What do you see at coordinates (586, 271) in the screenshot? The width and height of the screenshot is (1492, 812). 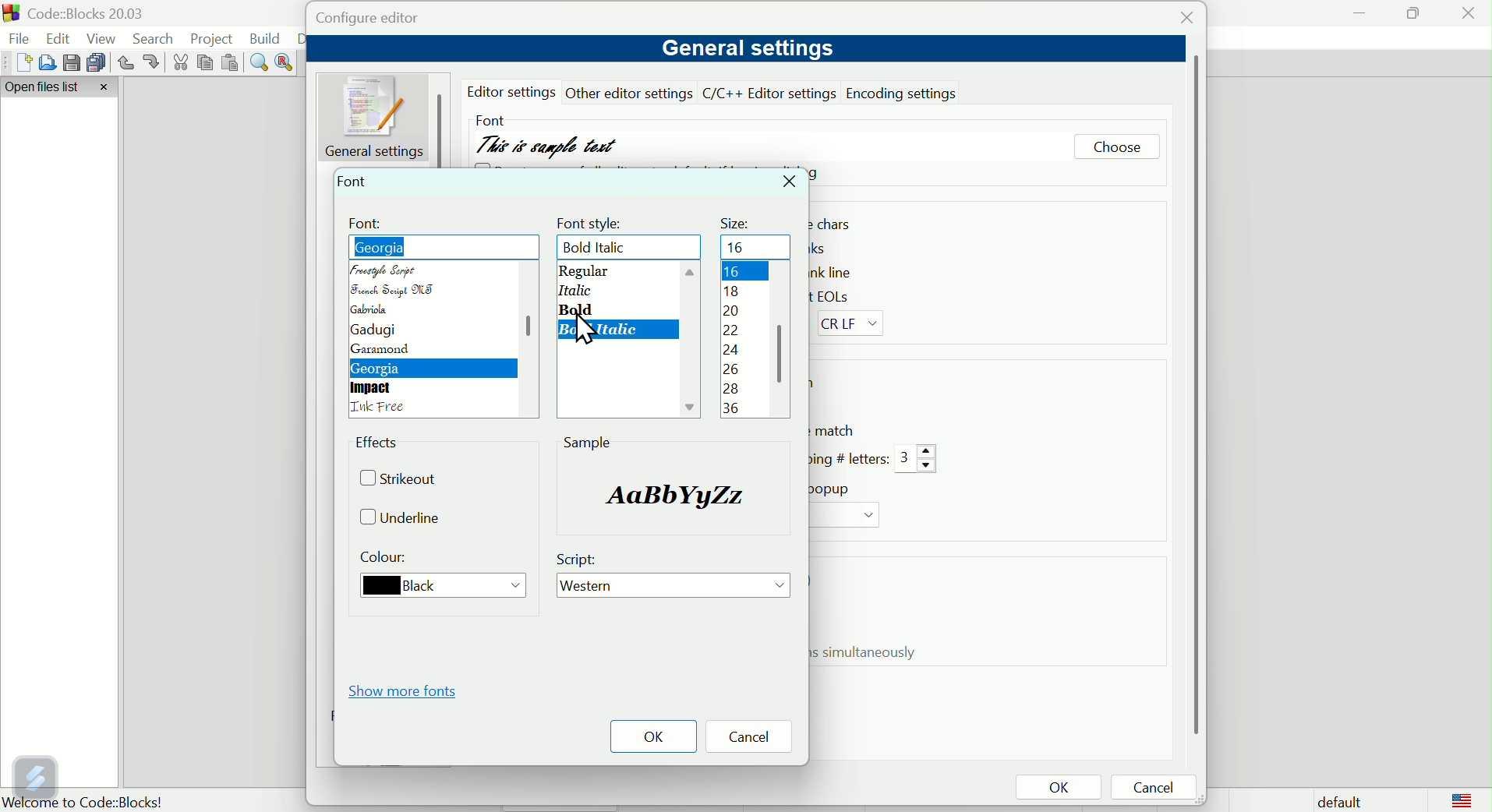 I see `Regular` at bounding box center [586, 271].